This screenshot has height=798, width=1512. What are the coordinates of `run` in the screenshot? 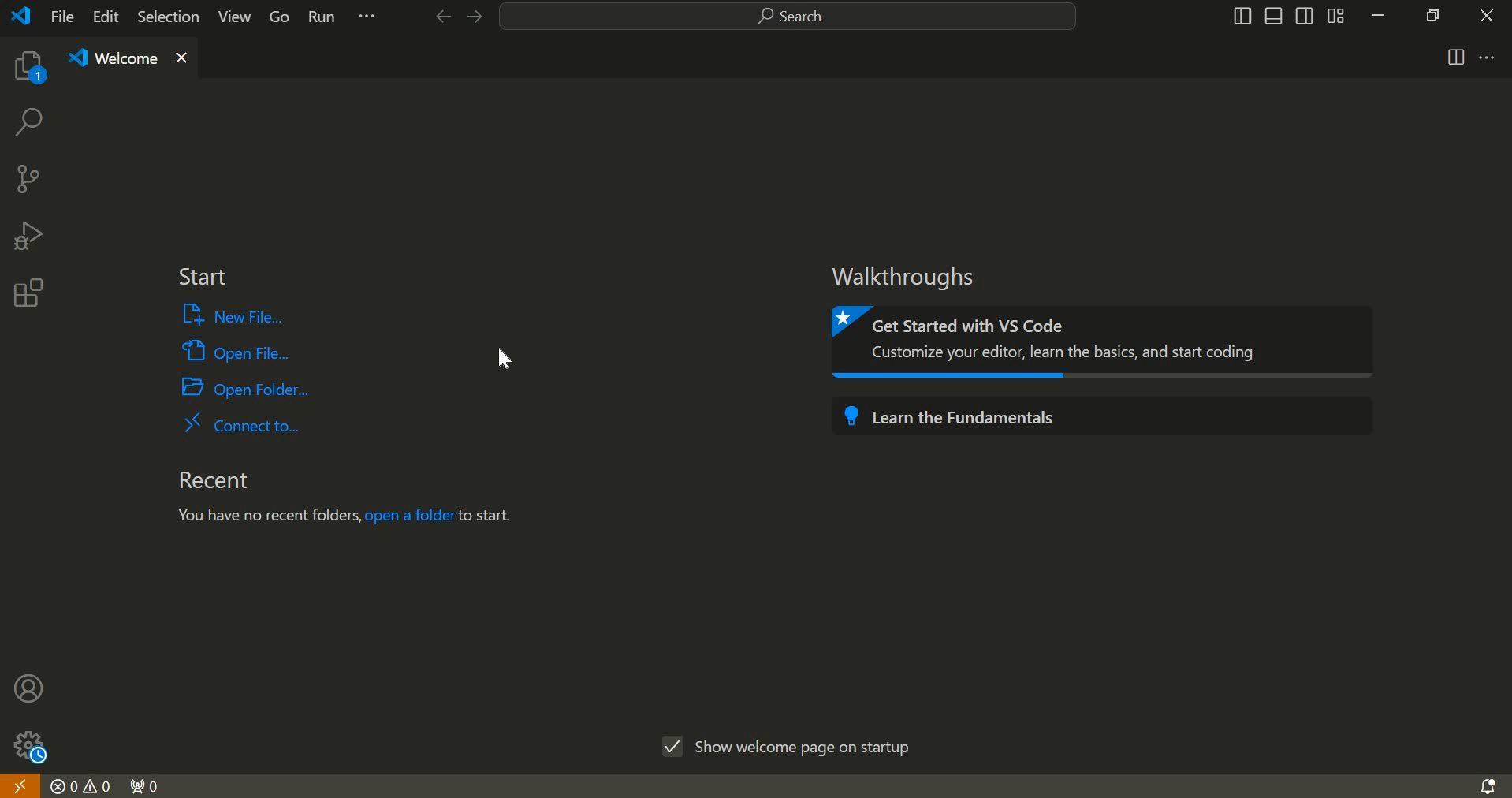 It's located at (324, 19).